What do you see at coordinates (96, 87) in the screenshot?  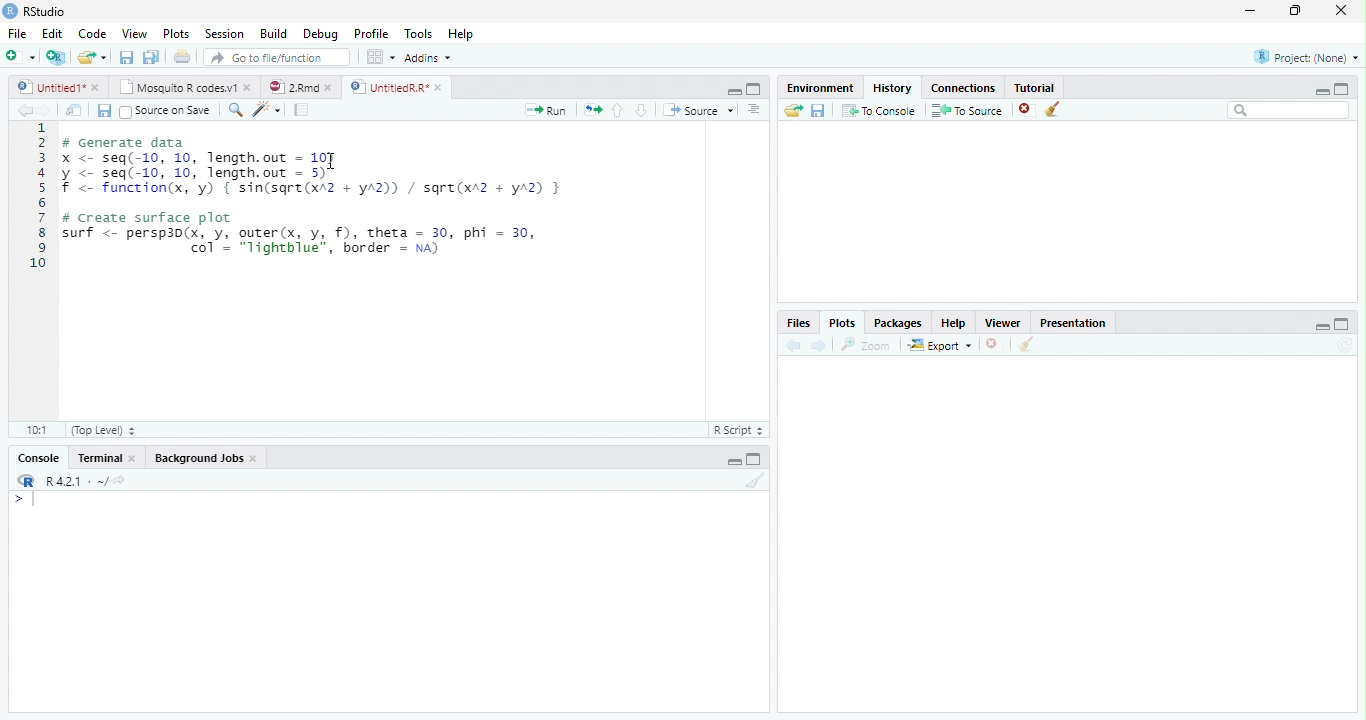 I see `close` at bounding box center [96, 87].